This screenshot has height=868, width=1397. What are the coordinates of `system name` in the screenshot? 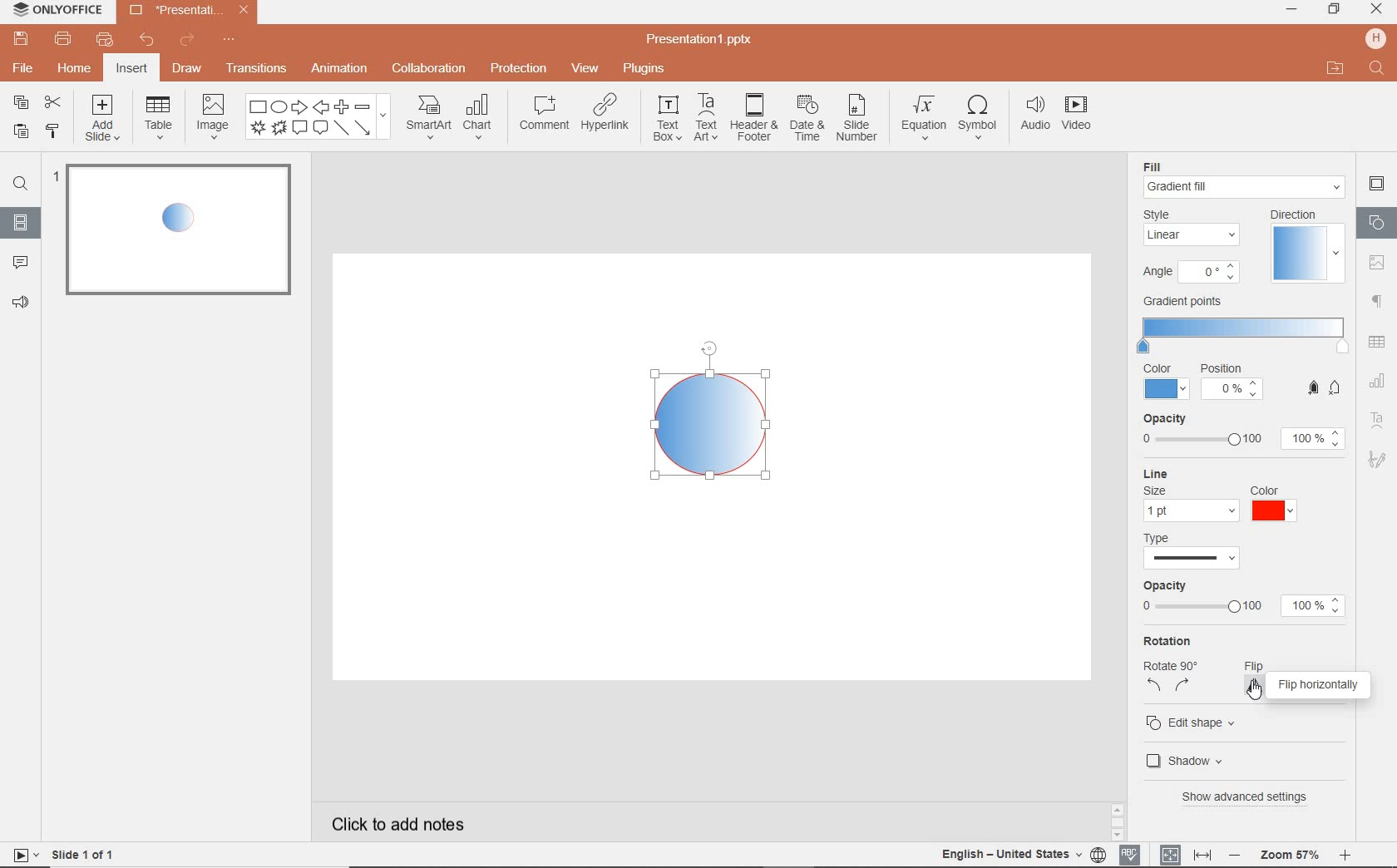 It's located at (55, 11).